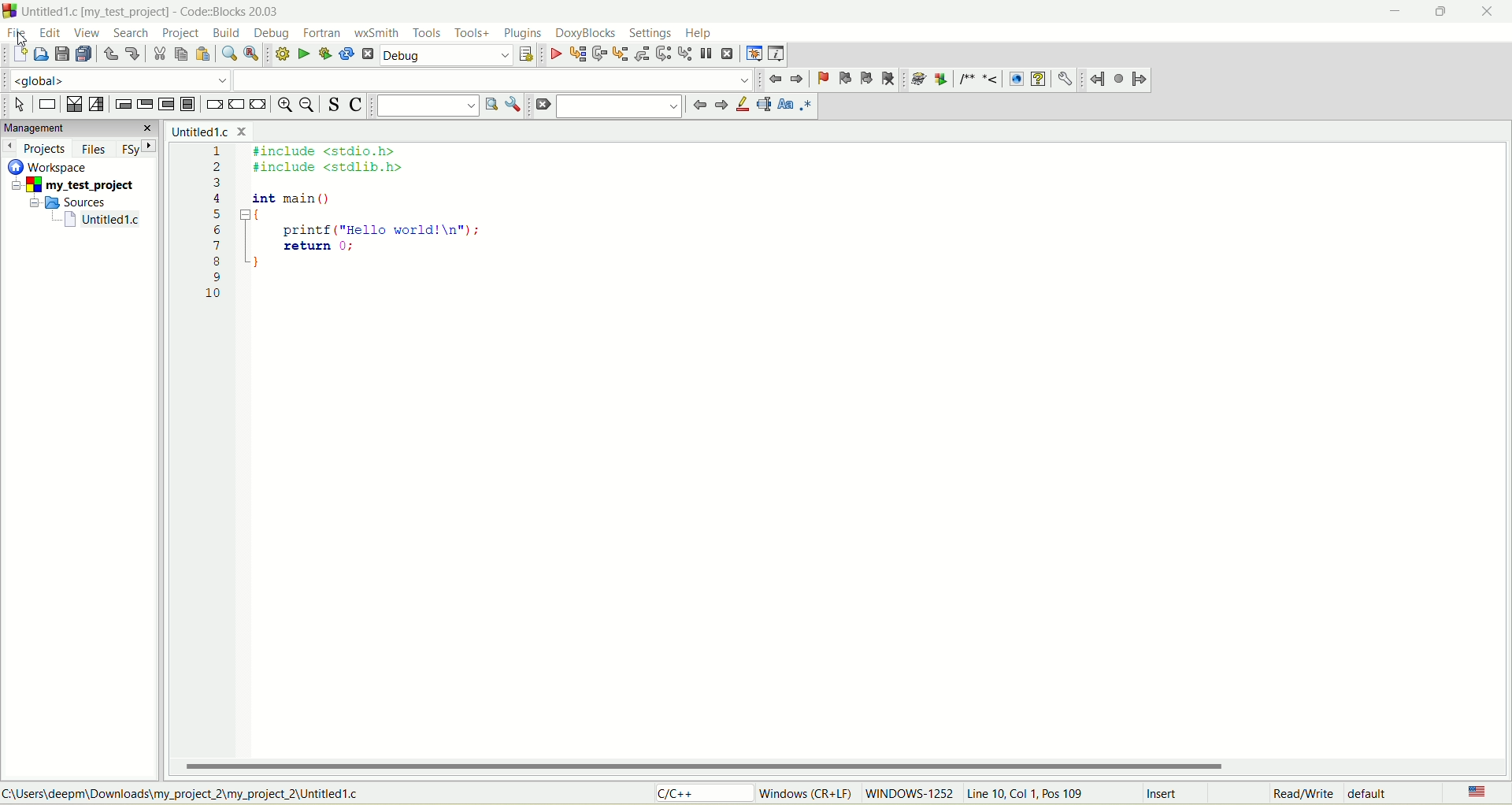 Image resolution: width=1512 pixels, height=805 pixels. I want to click on comment, so click(976, 80).